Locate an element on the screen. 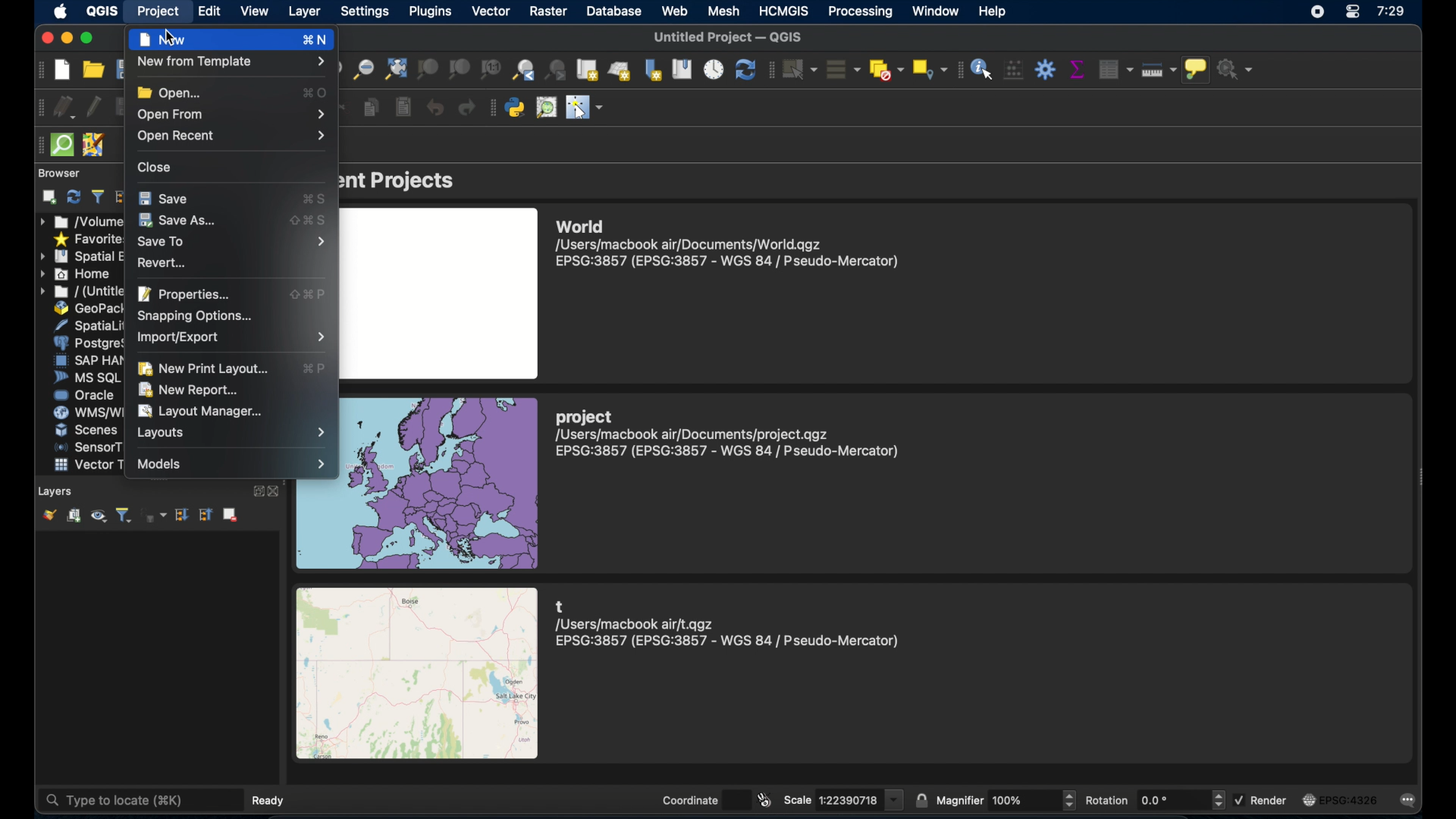  filter browser is located at coordinates (97, 196).